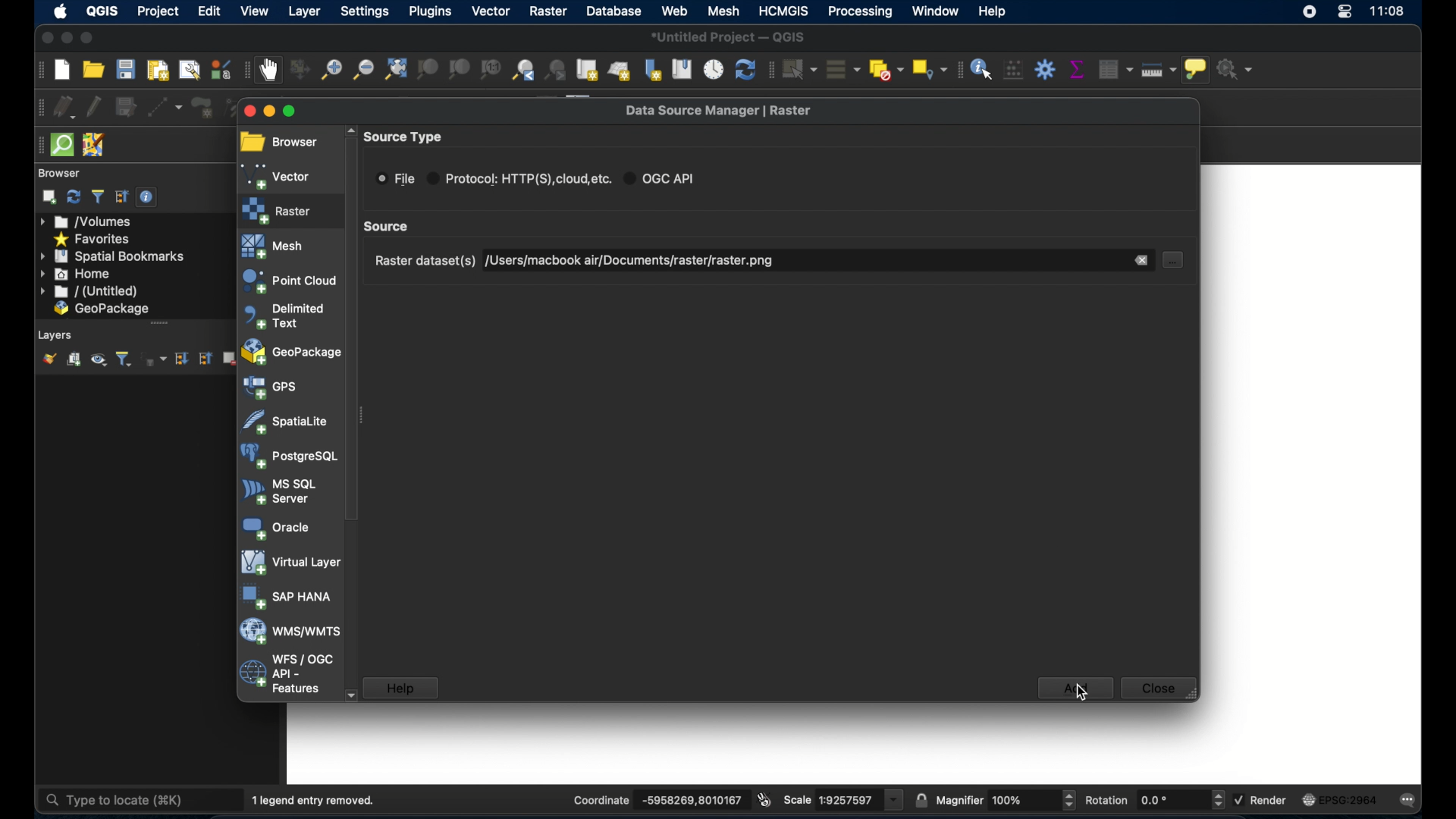 Image resolution: width=1456 pixels, height=819 pixels. What do you see at coordinates (288, 281) in the screenshot?
I see `point cloud` at bounding box center [288, 281].